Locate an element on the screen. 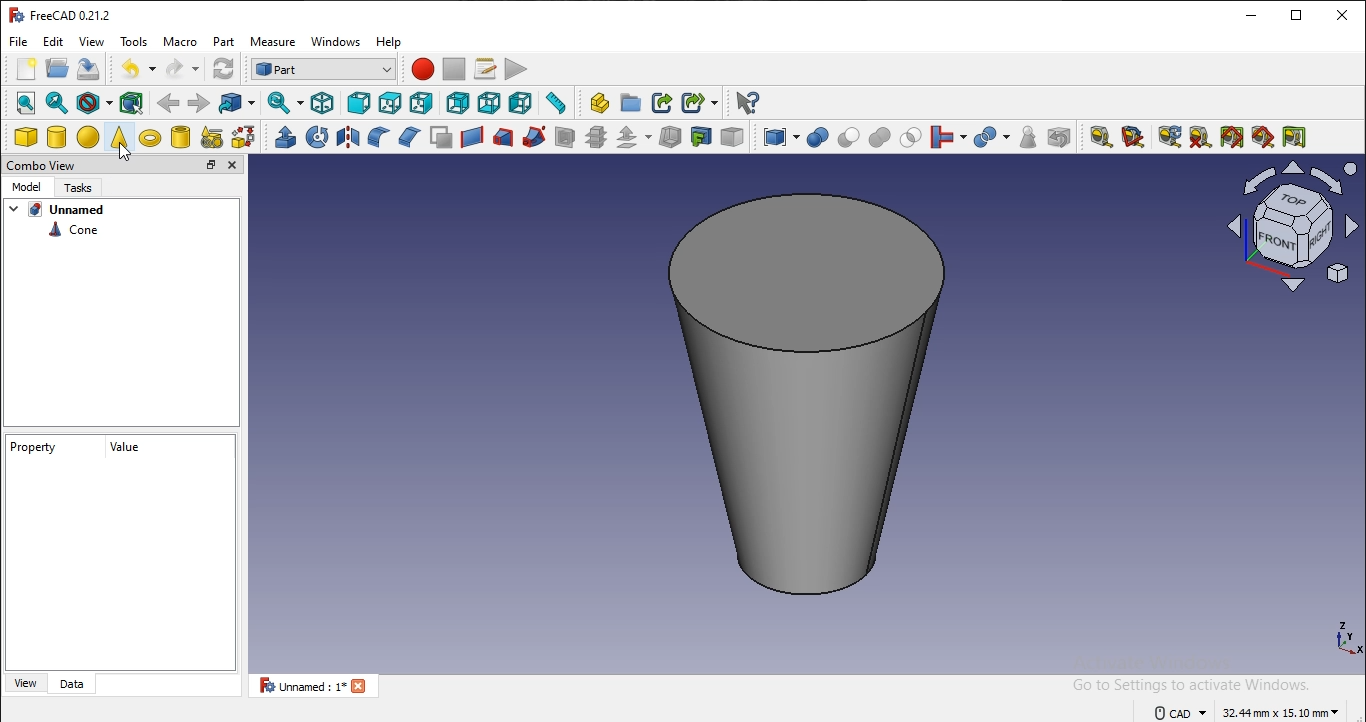 This screenshot has height=722, width=1366.  is located at coordinates (439, 137).